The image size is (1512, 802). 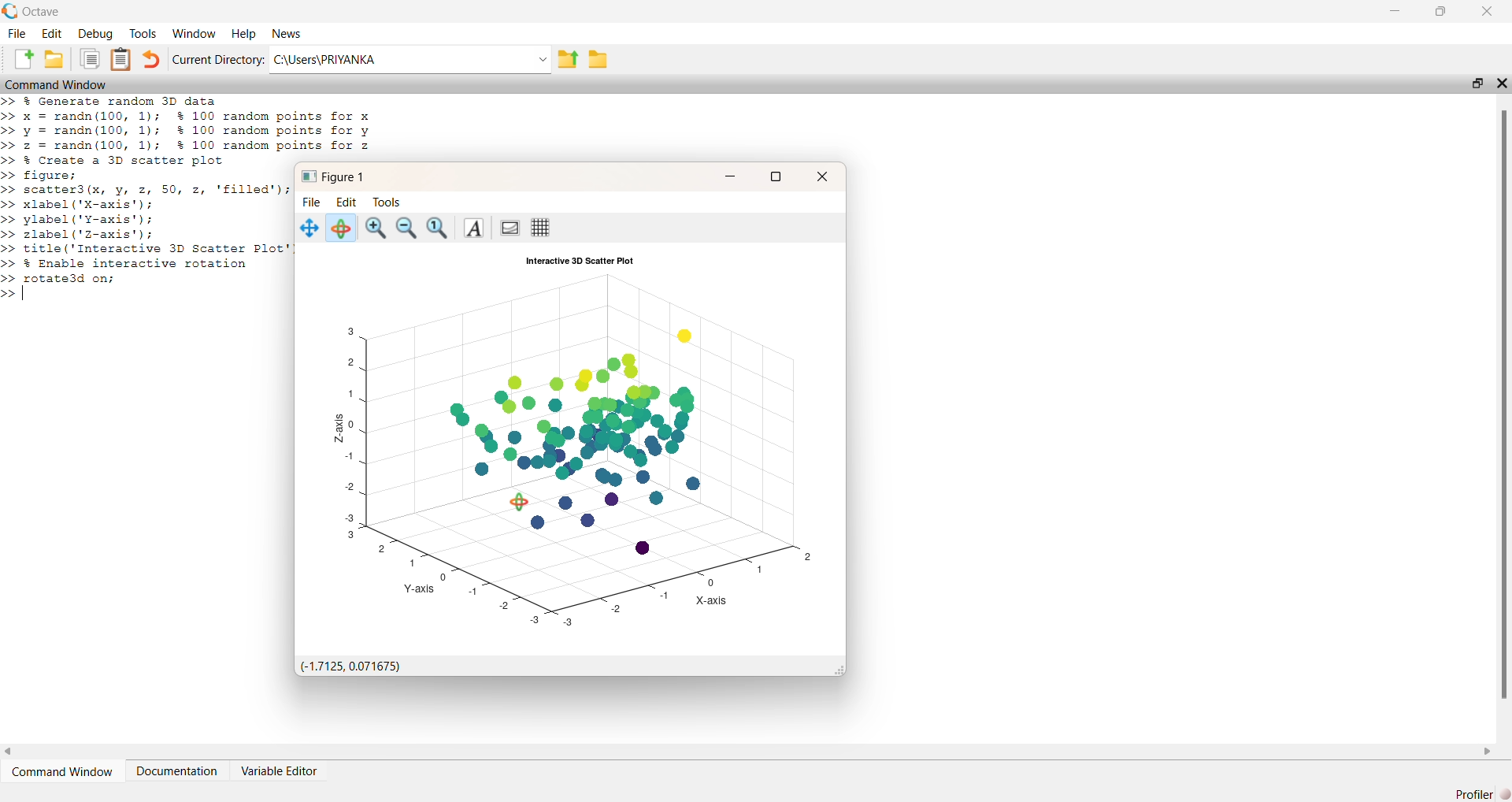 What do you see at coordinates (387, 202) in the screenshot?
I see `Tools` at bounding box center [387, 202].